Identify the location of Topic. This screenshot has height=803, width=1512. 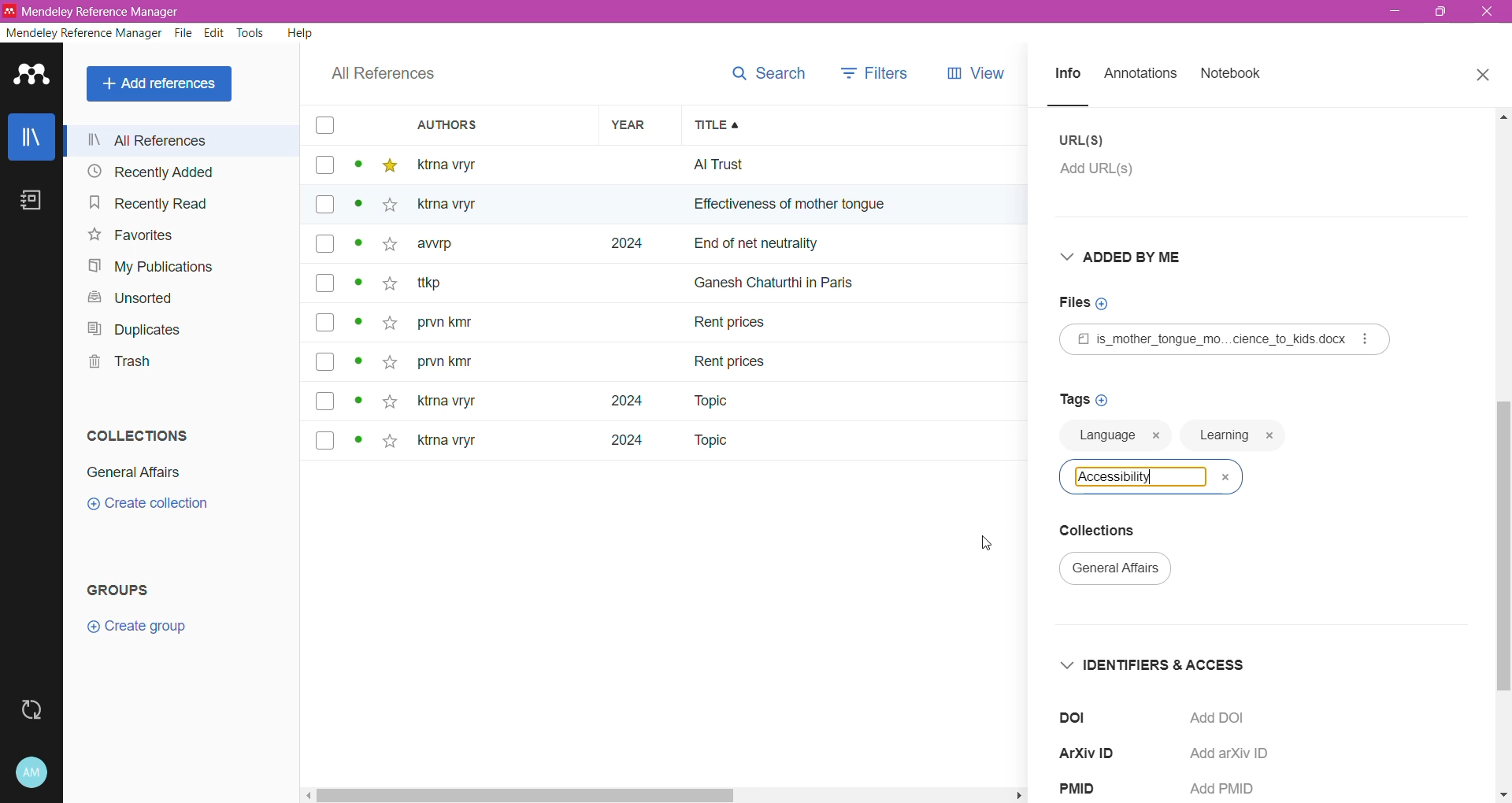
(700, 401).